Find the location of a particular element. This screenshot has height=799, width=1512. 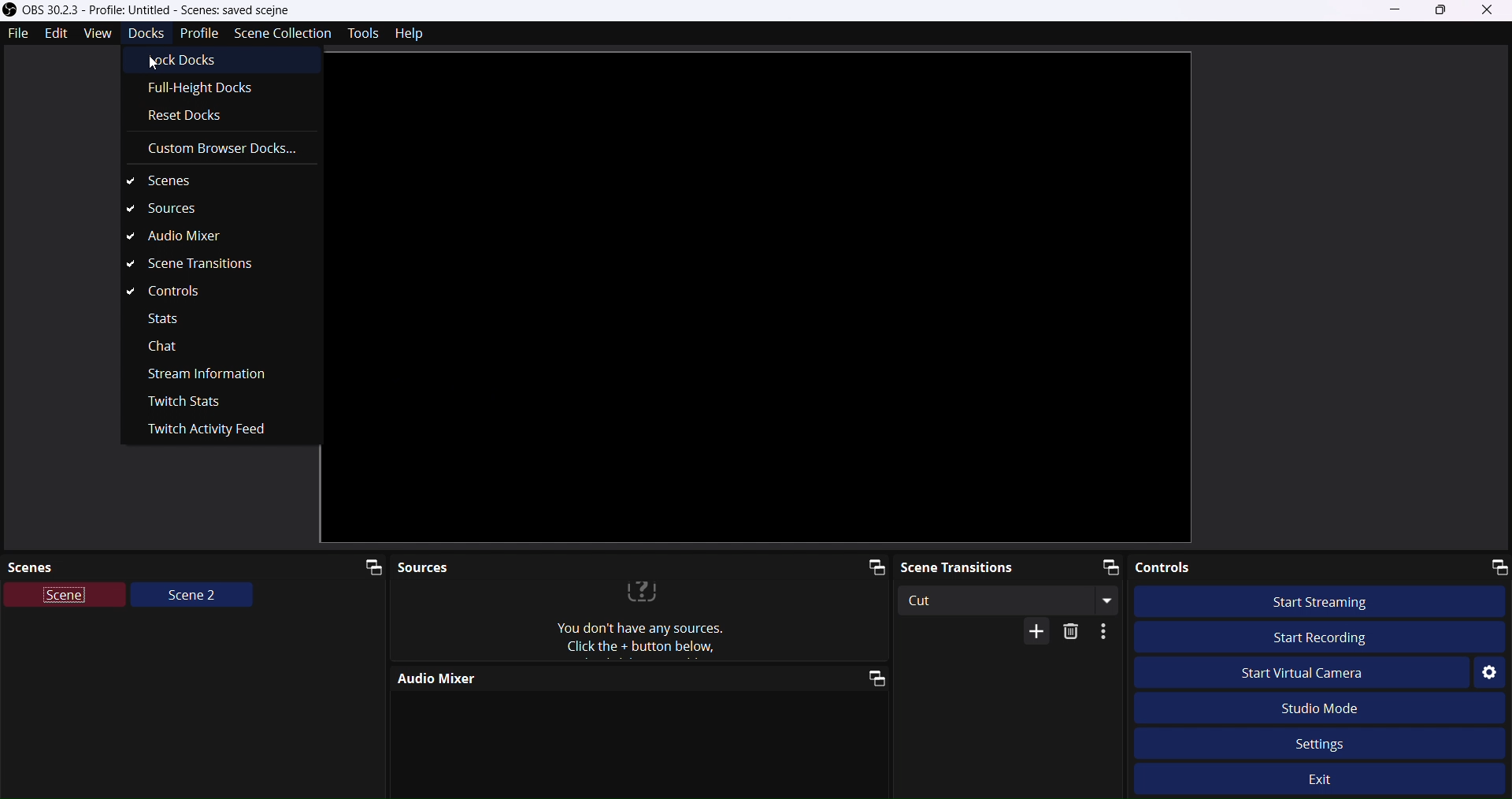

Start virtual camera is located at coordinates (1316, 674).